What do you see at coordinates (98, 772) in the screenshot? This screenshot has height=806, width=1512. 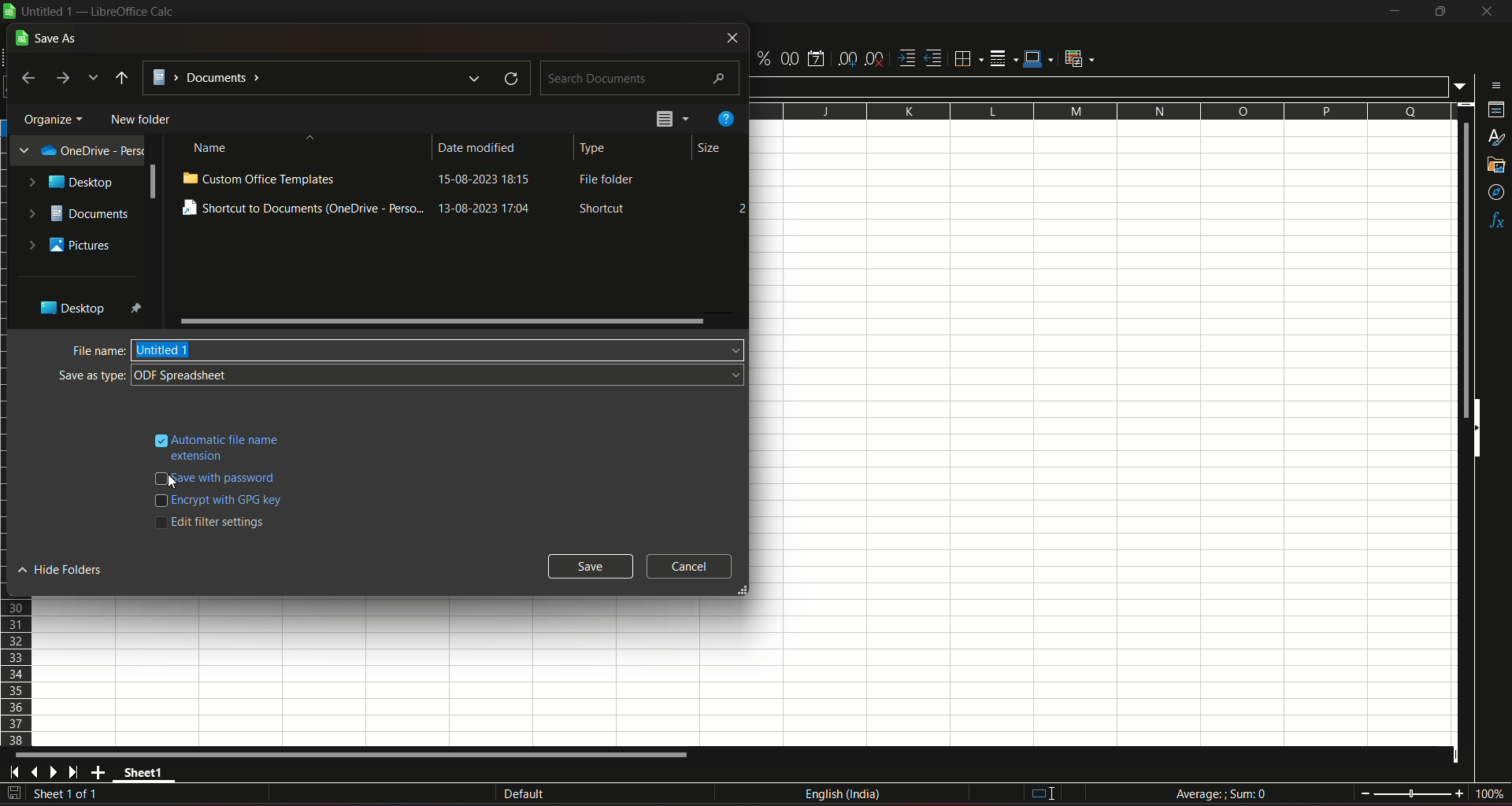 I see `add new sheet` at bounding box center [98, 772].